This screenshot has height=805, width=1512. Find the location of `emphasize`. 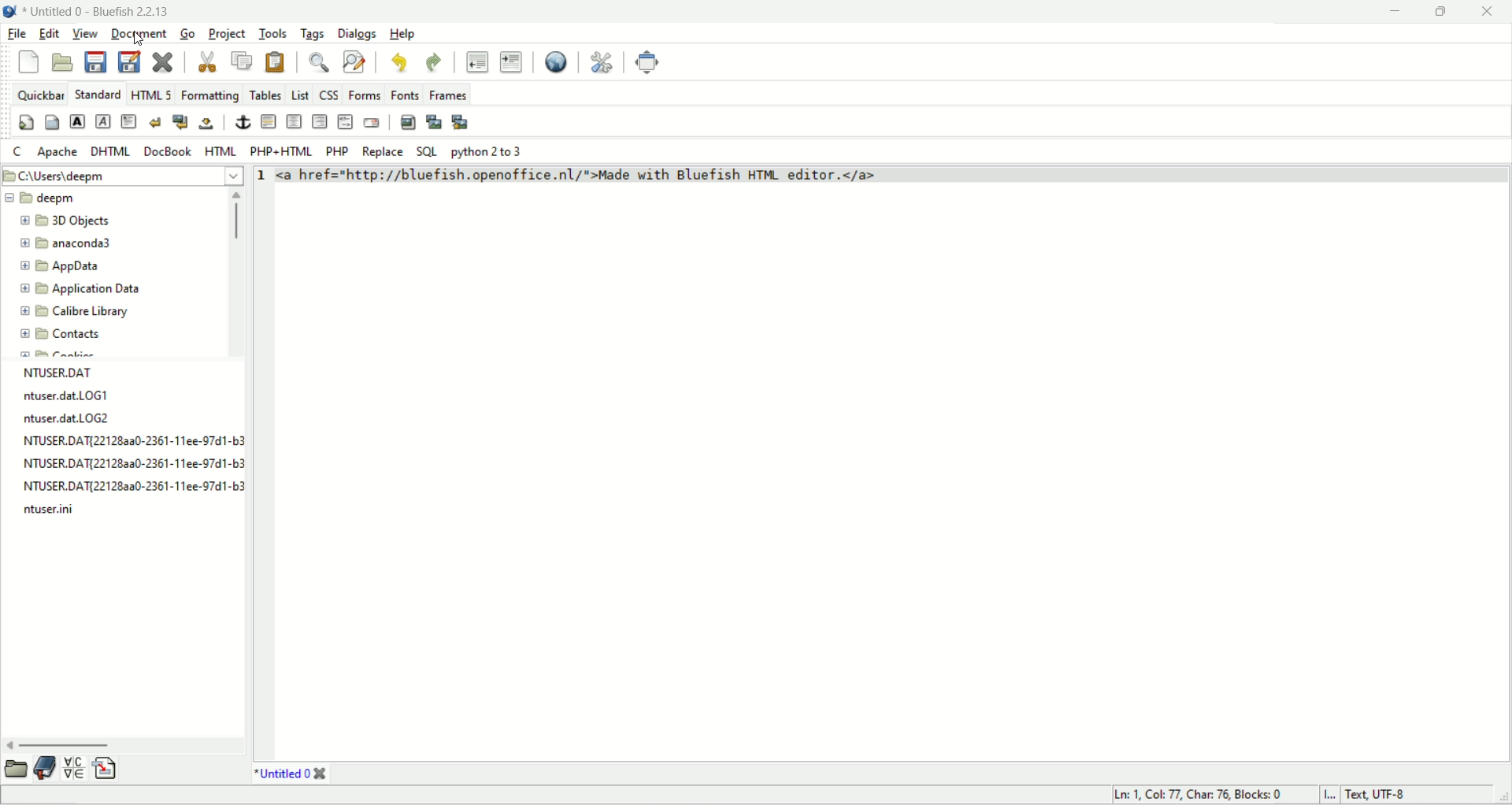

emphasize is located at coordinates (106, 124).